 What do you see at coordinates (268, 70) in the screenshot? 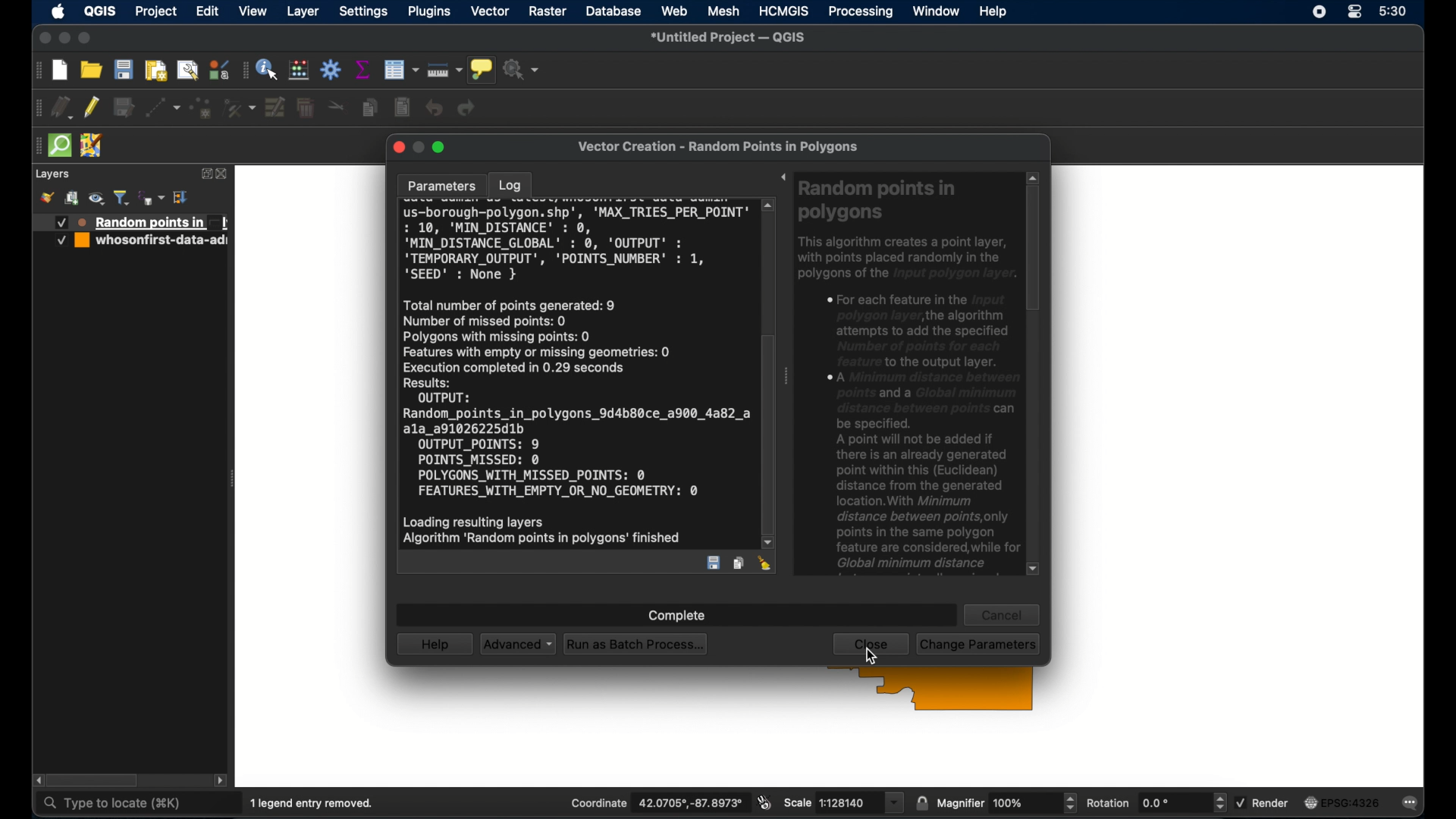
I see `identify feature` at bounding box center [268, 70].